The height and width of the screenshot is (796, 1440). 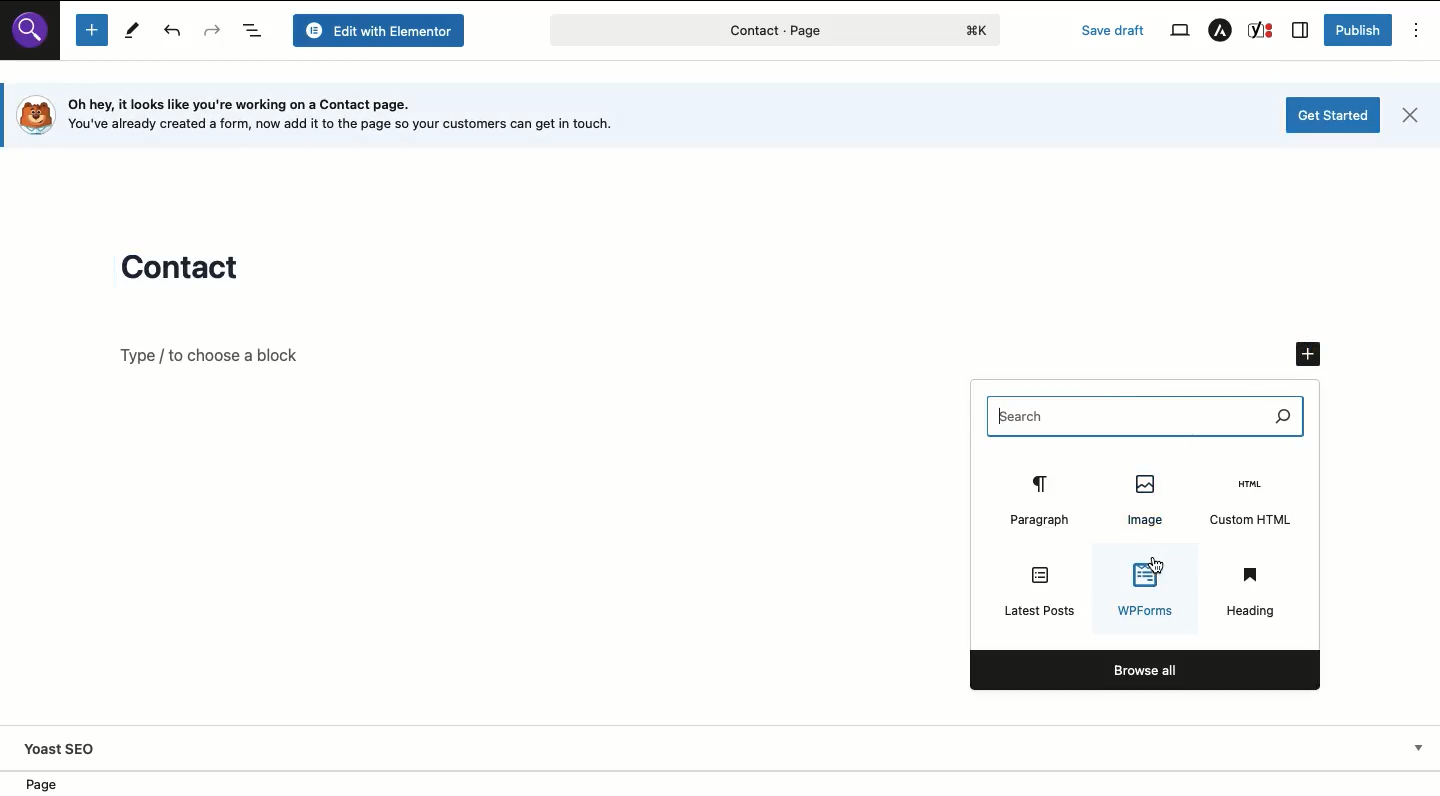 What do you see at coordinates (1310, 356) in the screenshot?
I see `Add new block` at bounding box center [1310, 356].